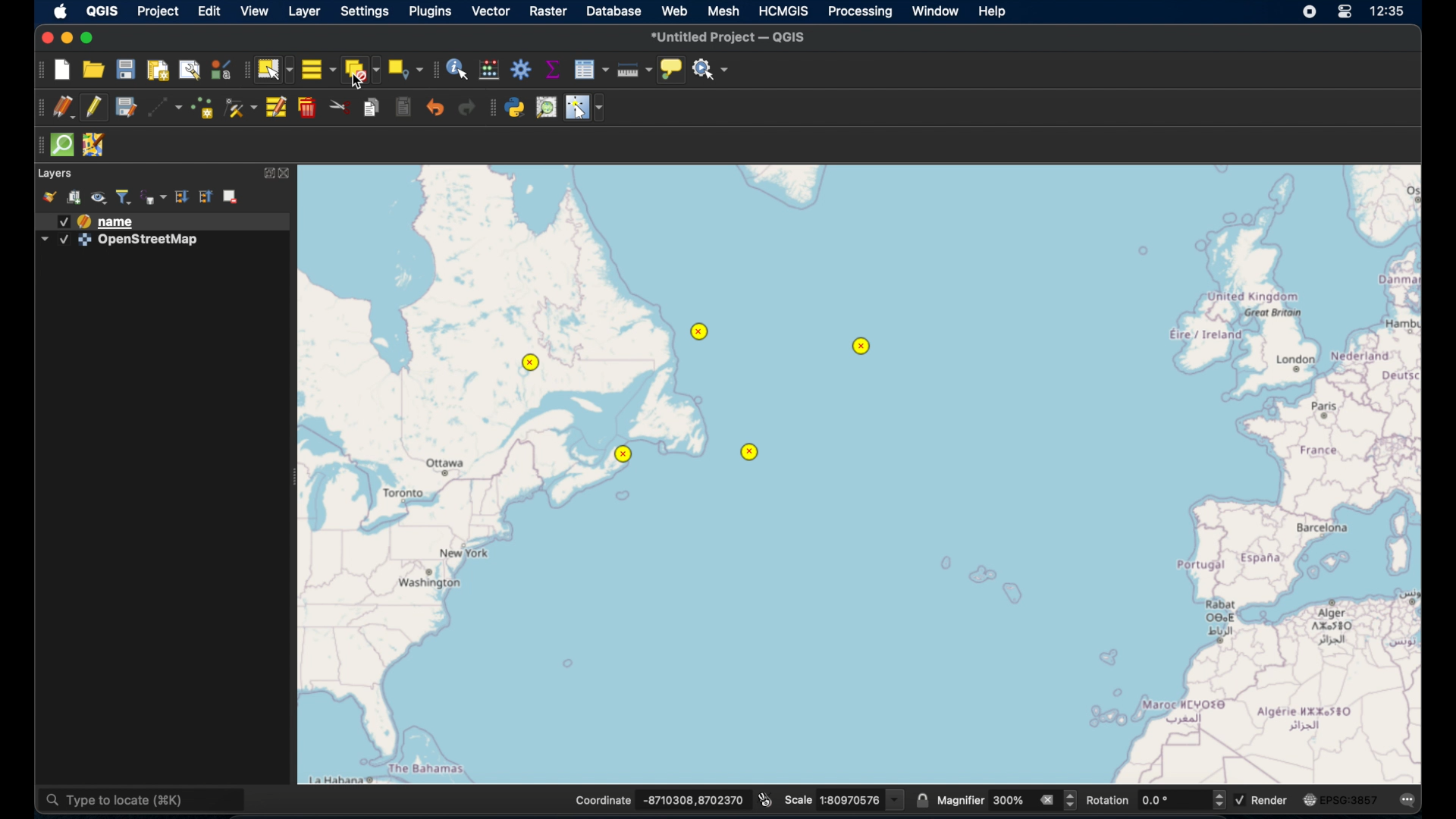  I want to click on toggle extents and display mouse position , so click(764, 799).